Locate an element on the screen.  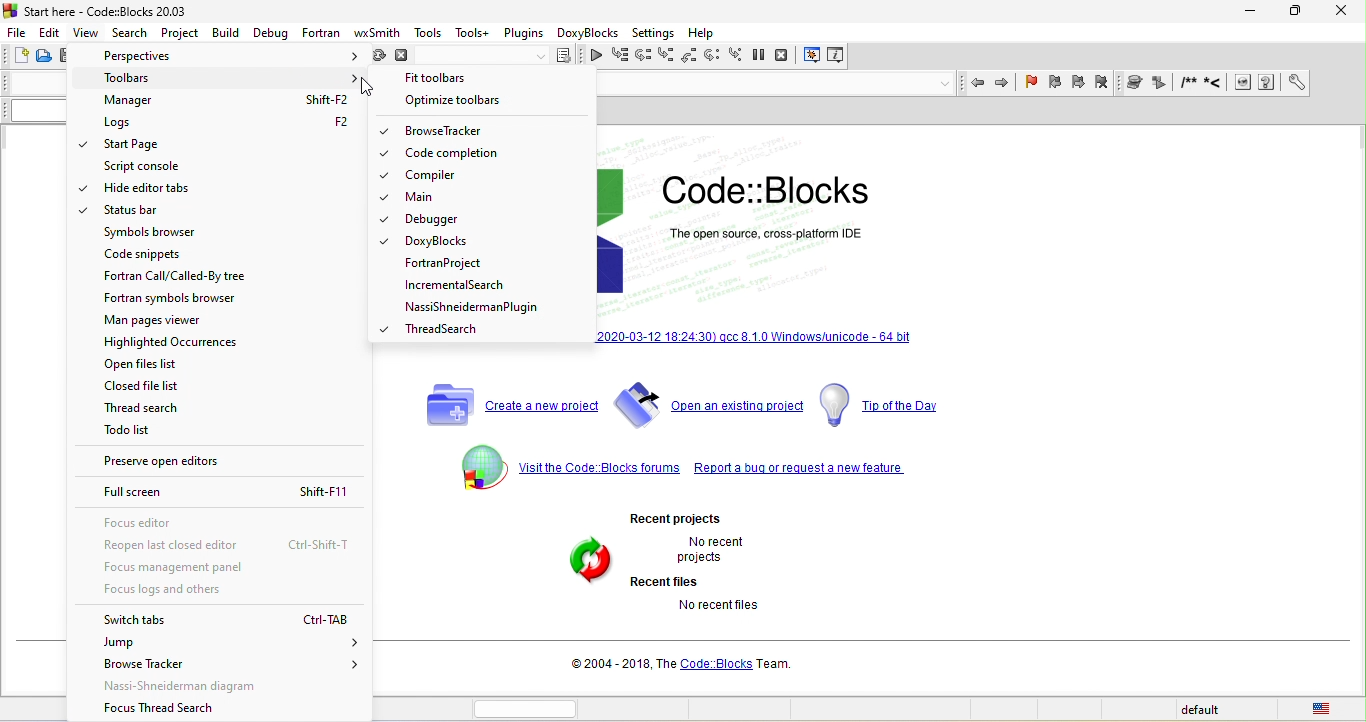
focus management panel is located at coordinates (175, 571).